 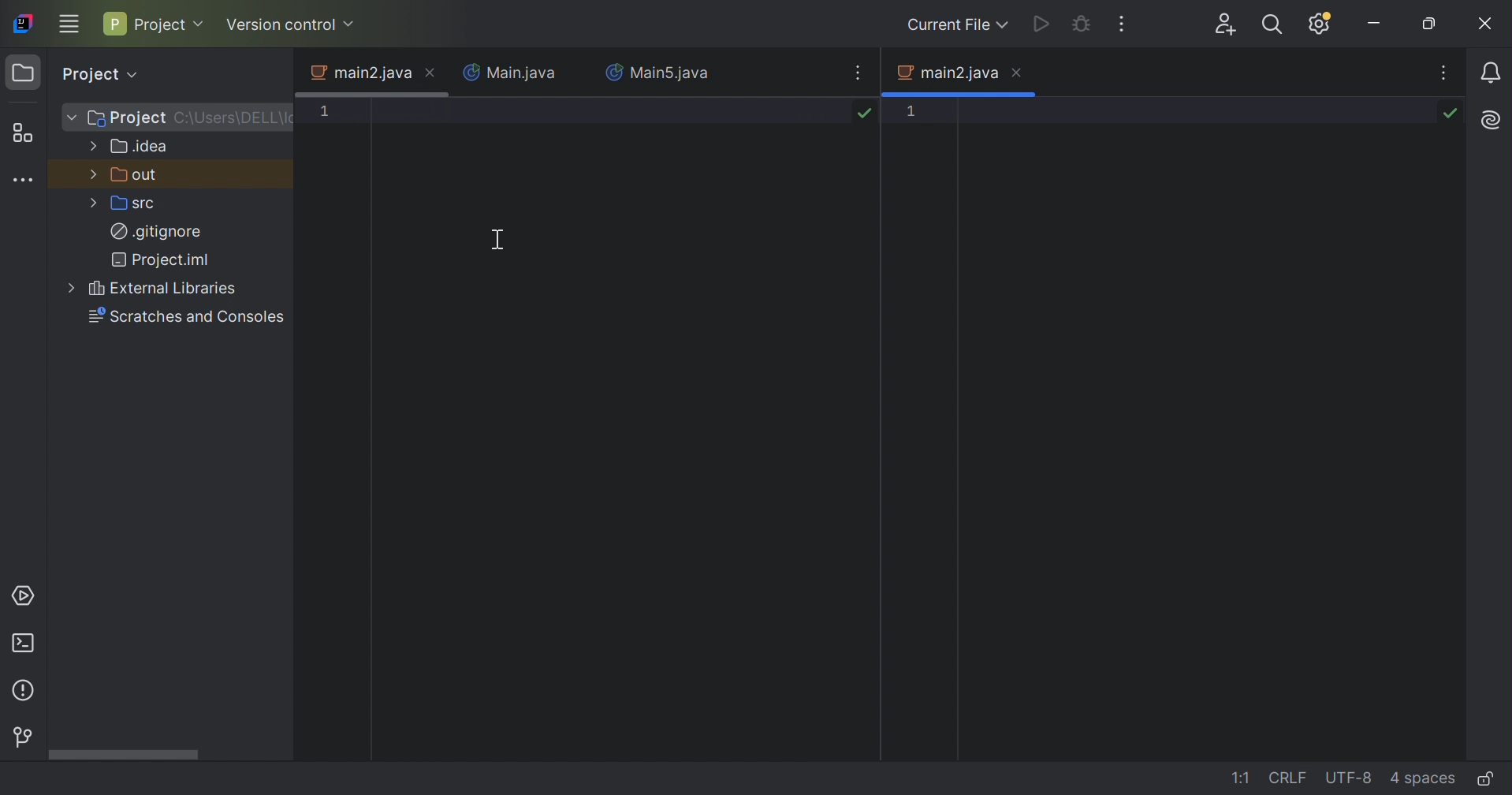 I want to click on recent files, tab actions, and more, so click(x=856, y=71).